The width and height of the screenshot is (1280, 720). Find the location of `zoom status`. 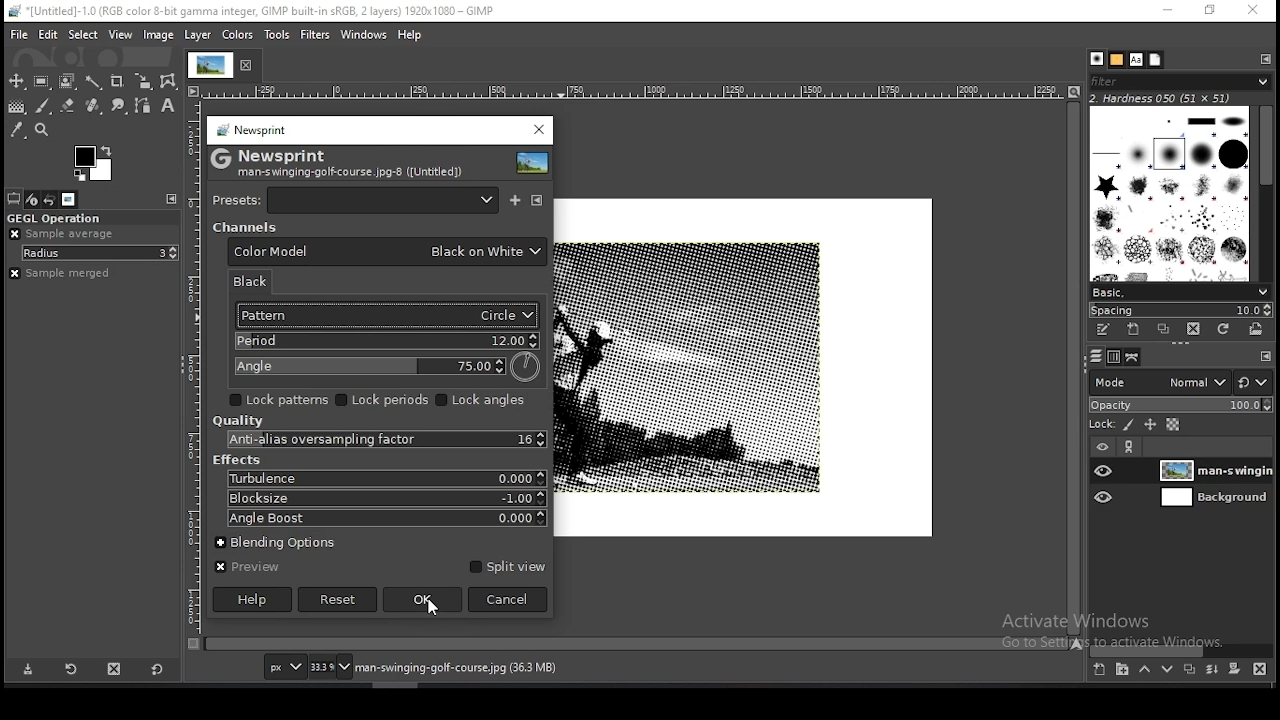

zoom status is located at coordinates (329, 666).